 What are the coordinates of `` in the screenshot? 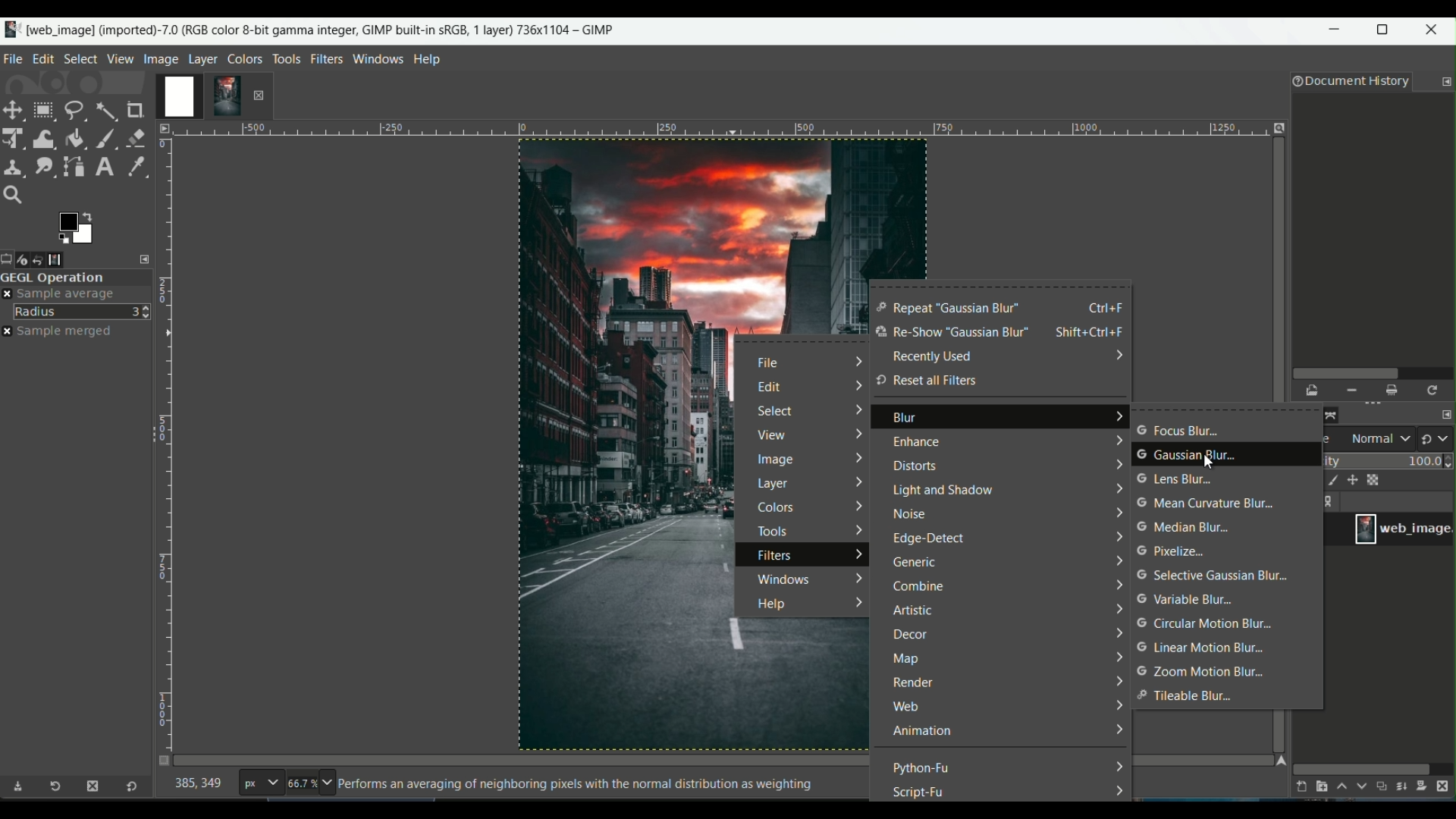 It's located at (907, 661).